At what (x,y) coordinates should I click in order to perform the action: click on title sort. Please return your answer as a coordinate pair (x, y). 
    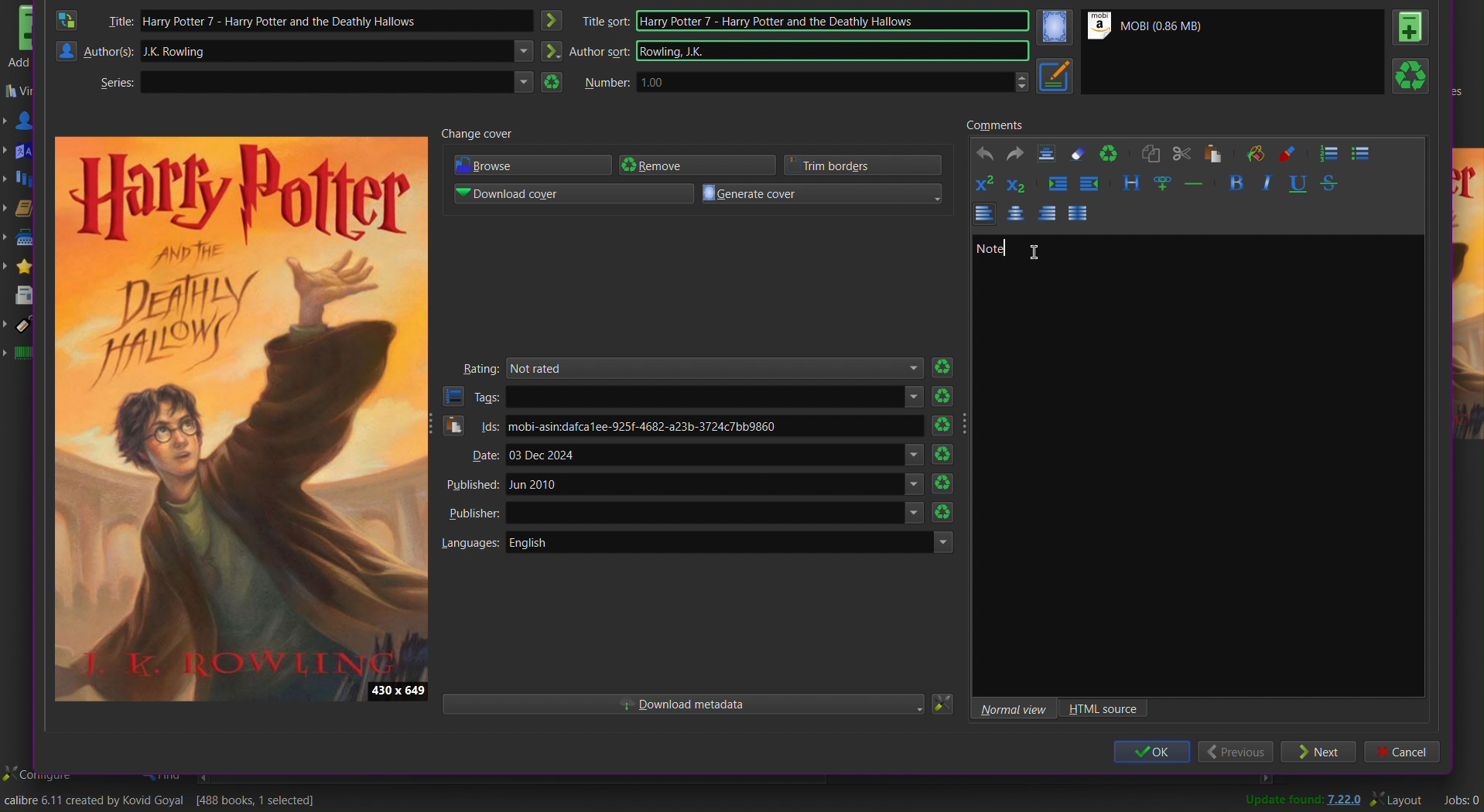
    Looking at the image, I should click on (606, 19).